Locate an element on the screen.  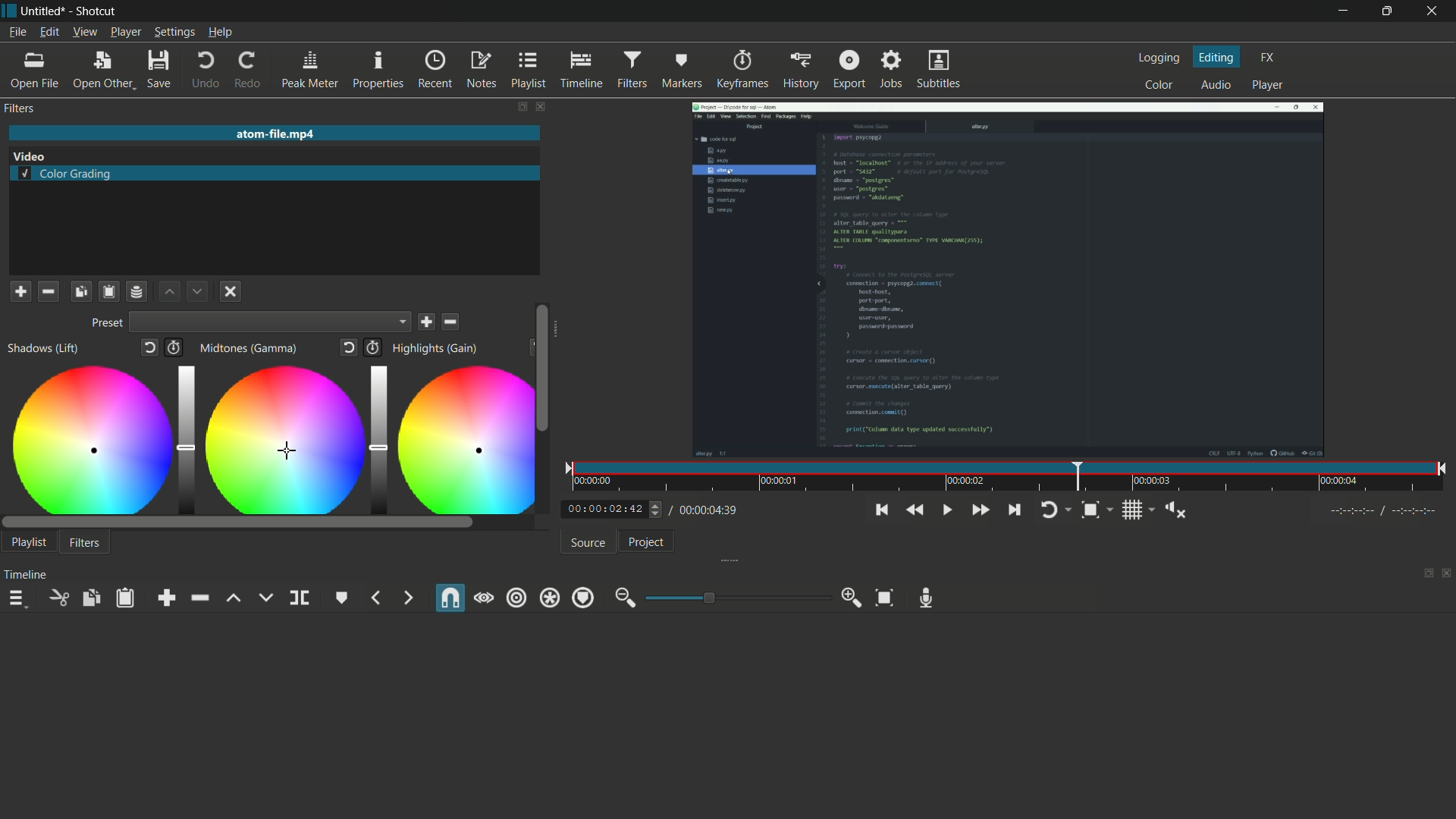
Scroller is located at coordinates (542, 367).